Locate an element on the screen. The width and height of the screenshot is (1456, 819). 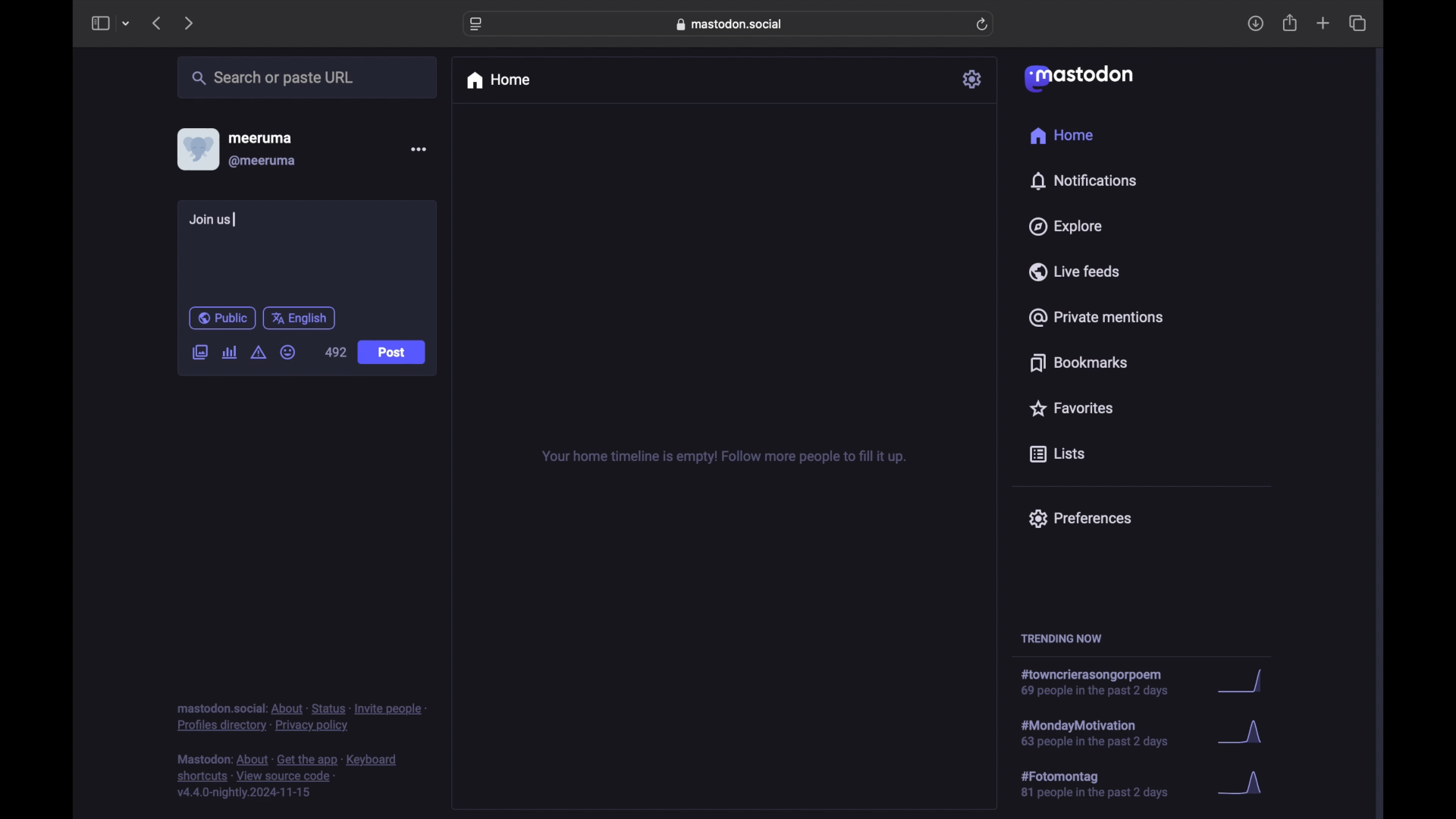
search or paste url is located at coordinates (272, 78).